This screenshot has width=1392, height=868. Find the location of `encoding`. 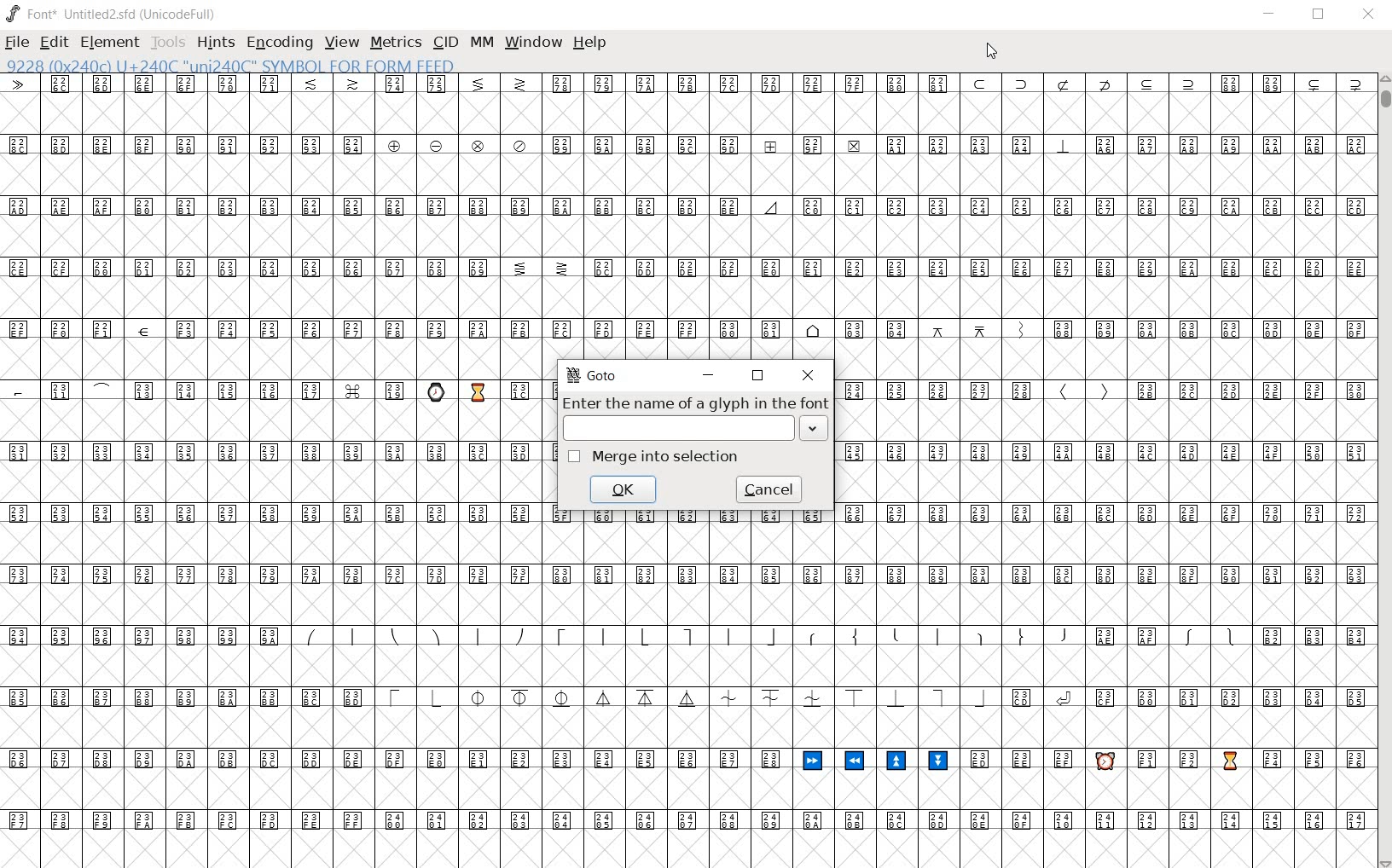

encoding is located at coordinates (281, 44).